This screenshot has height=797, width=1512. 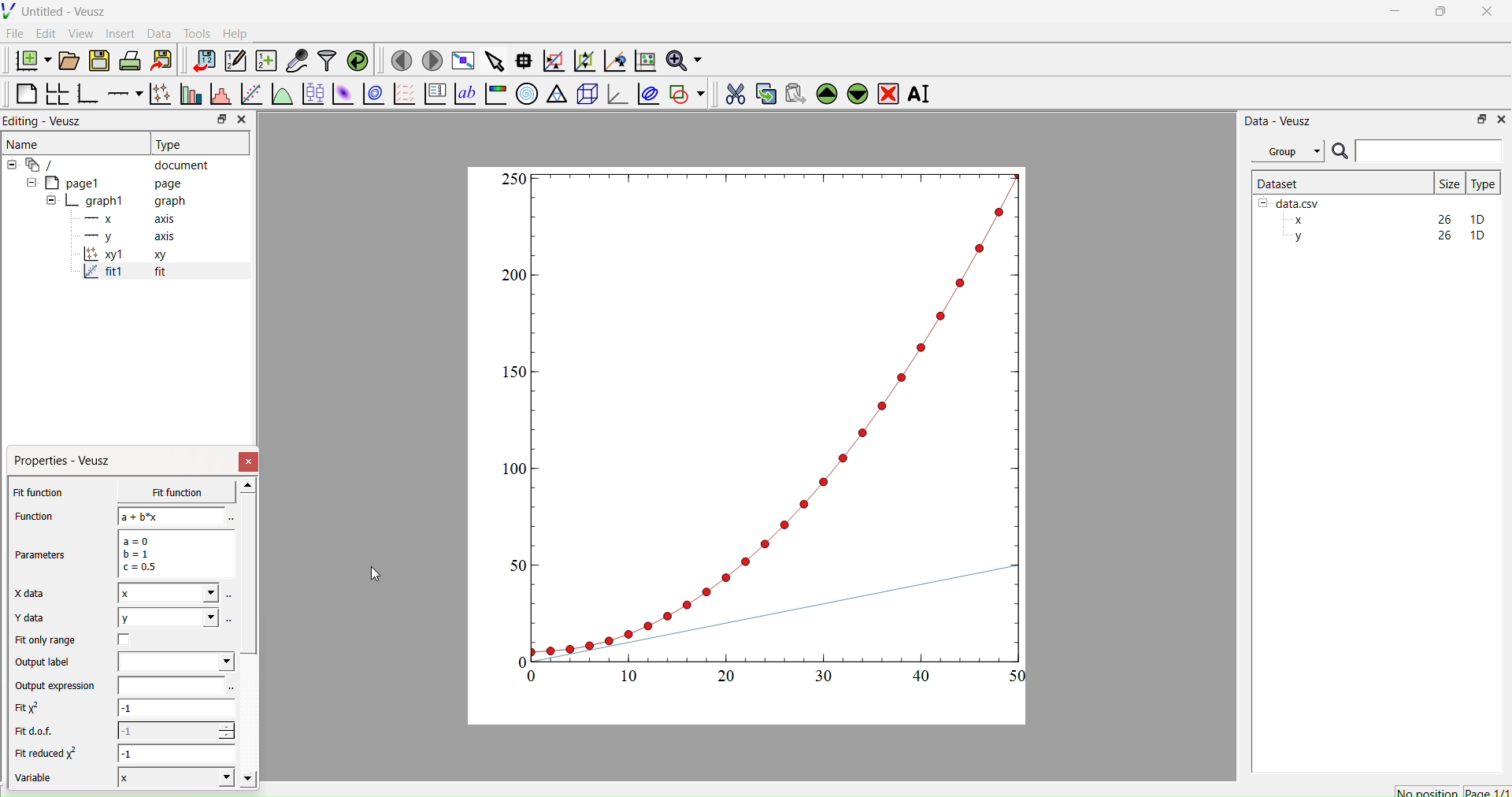 What do you see at coordinates (1429, 150) in the screenshot?
I see `Input` at bounding box center [1429, 150].